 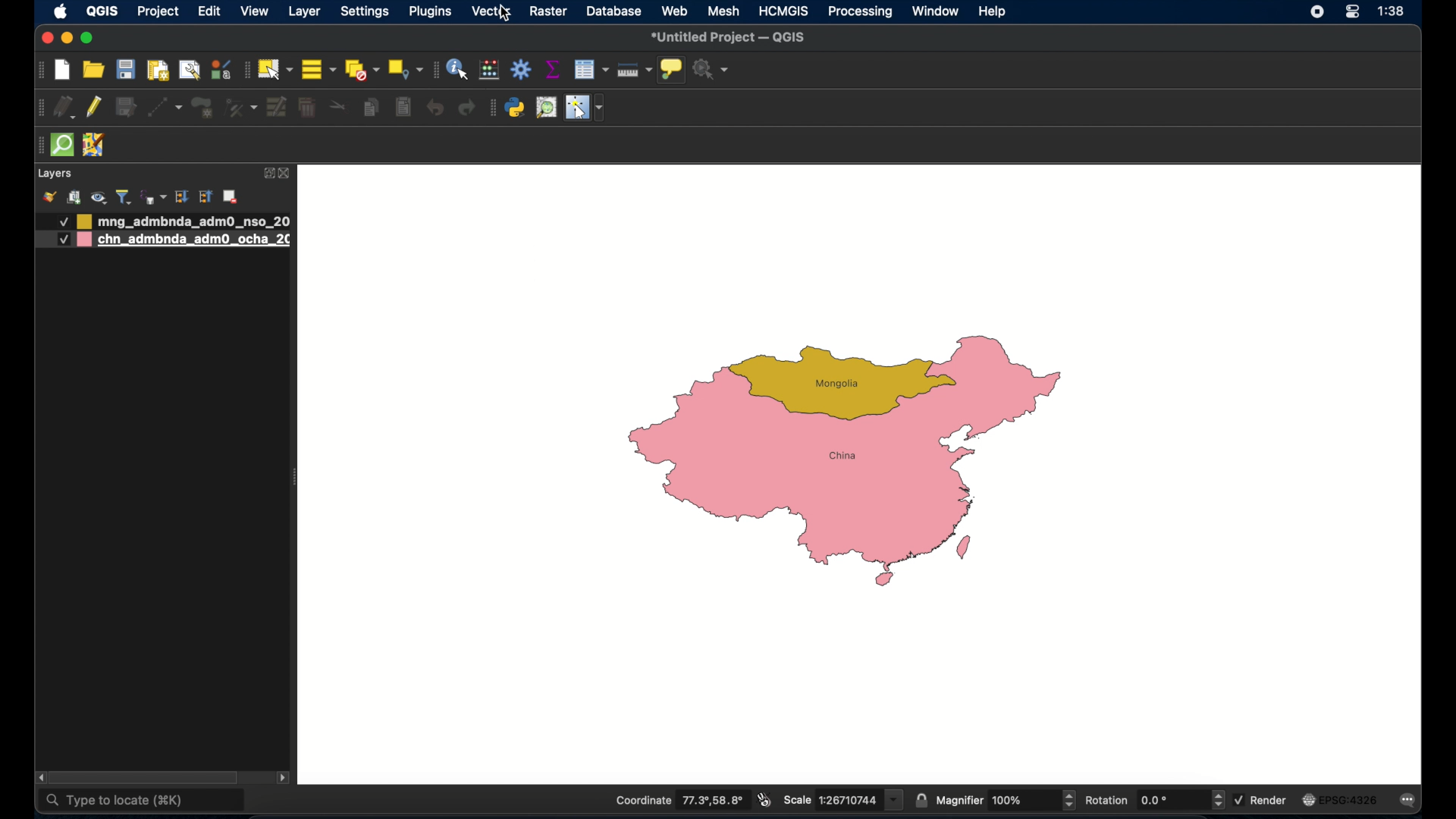 What do you see at coordinates (95, 109) in the screenshot?
I see `toggle editing` at bounding box center [95, 109].